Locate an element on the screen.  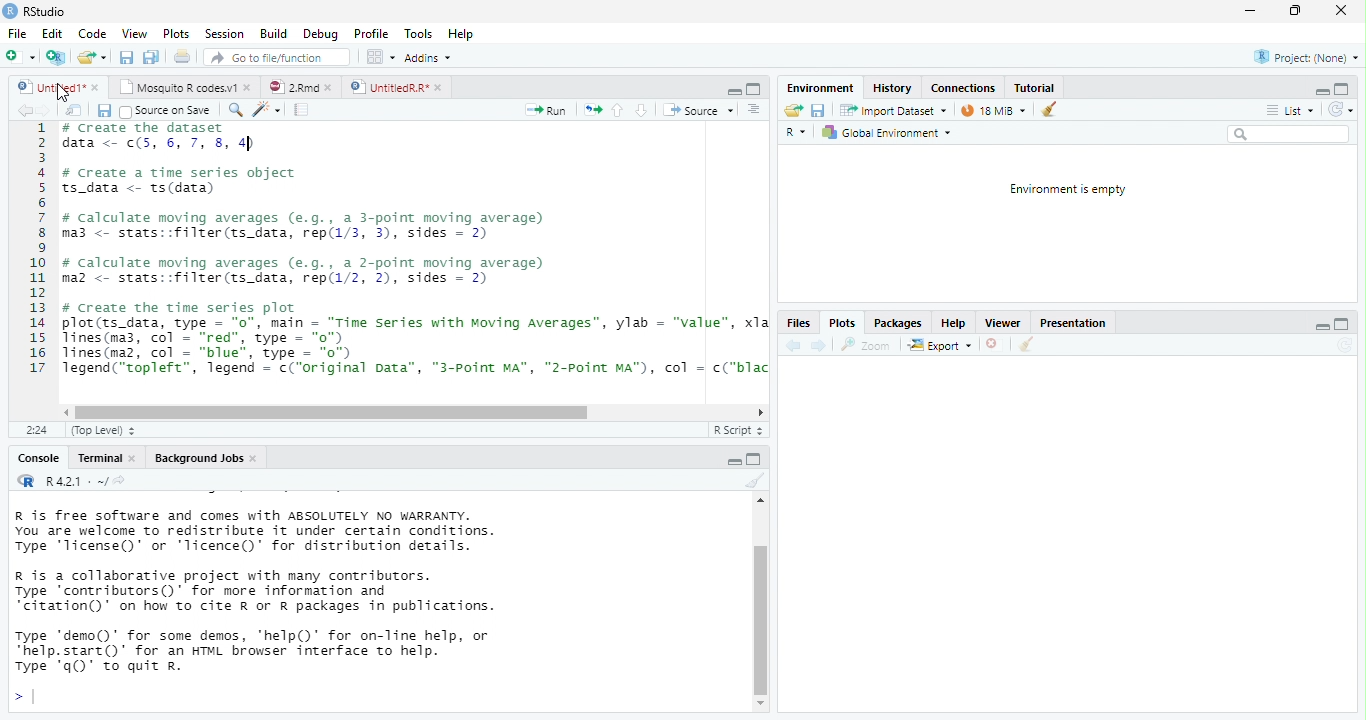
R is located at coordinates (798, 134).